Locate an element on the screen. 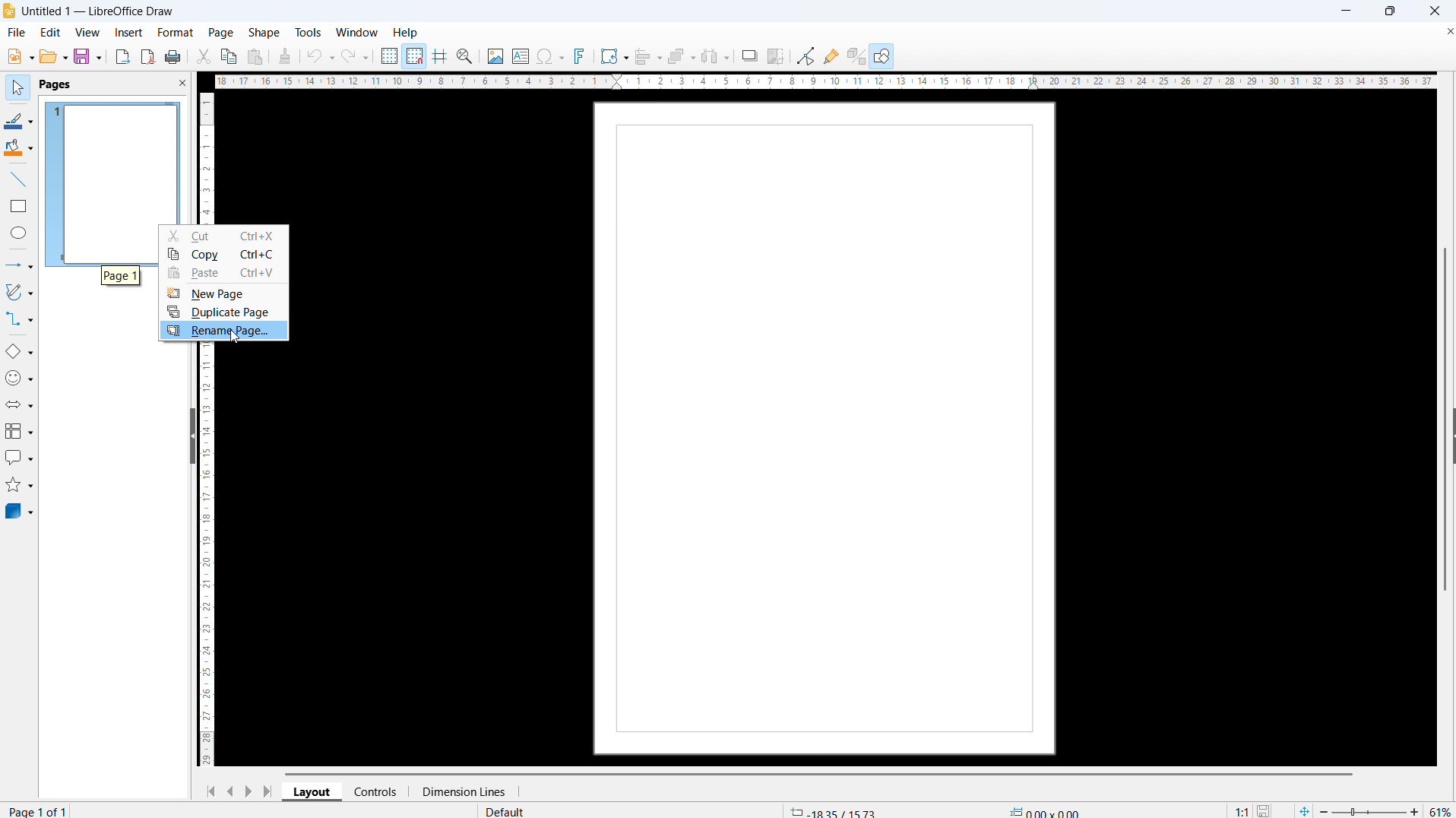  duplicate page is located at coordinates (223, 312).